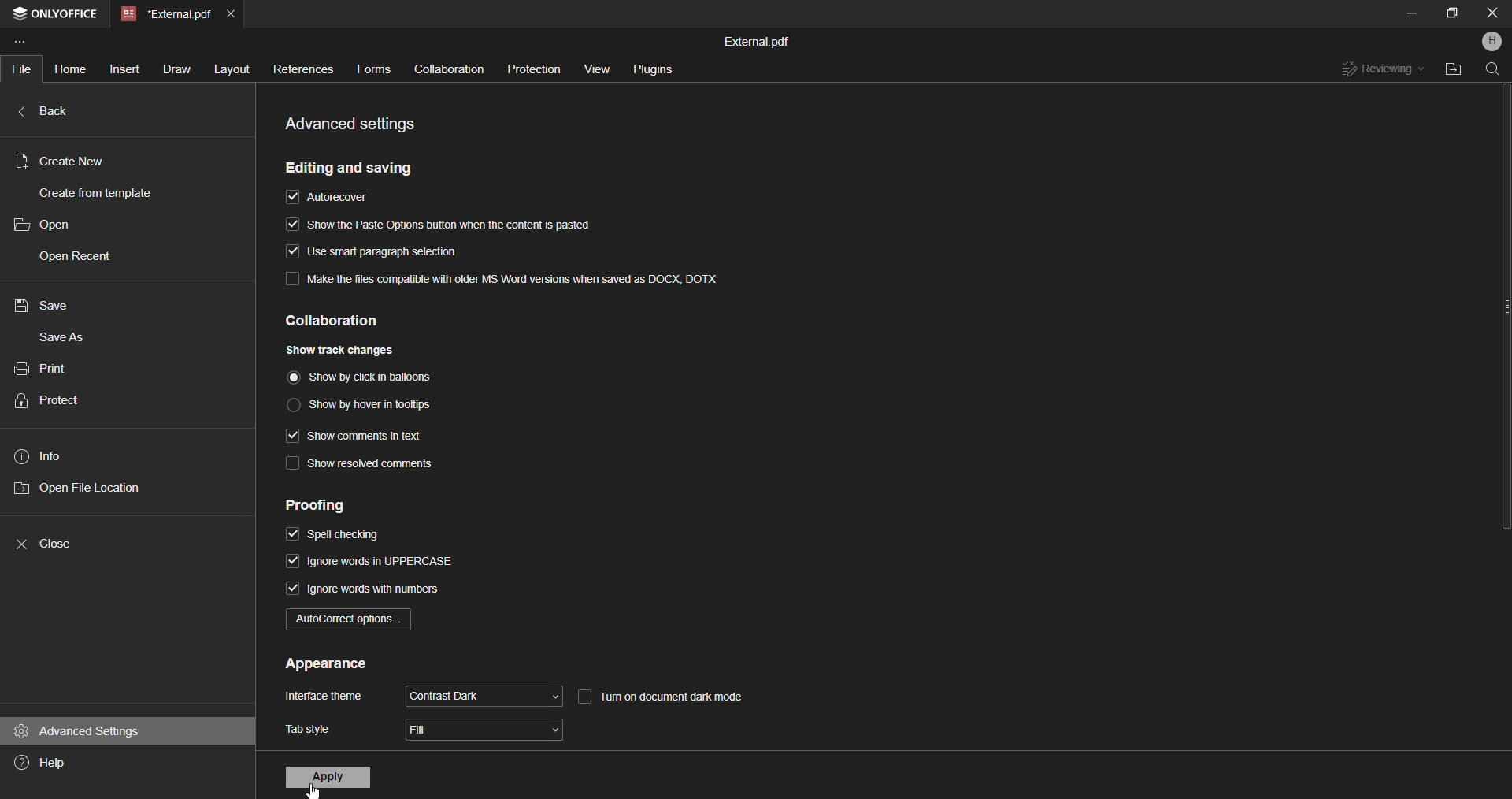  Describe the element at coordinates (335, 536) in the screenshot. I see `spell checking` at that location.